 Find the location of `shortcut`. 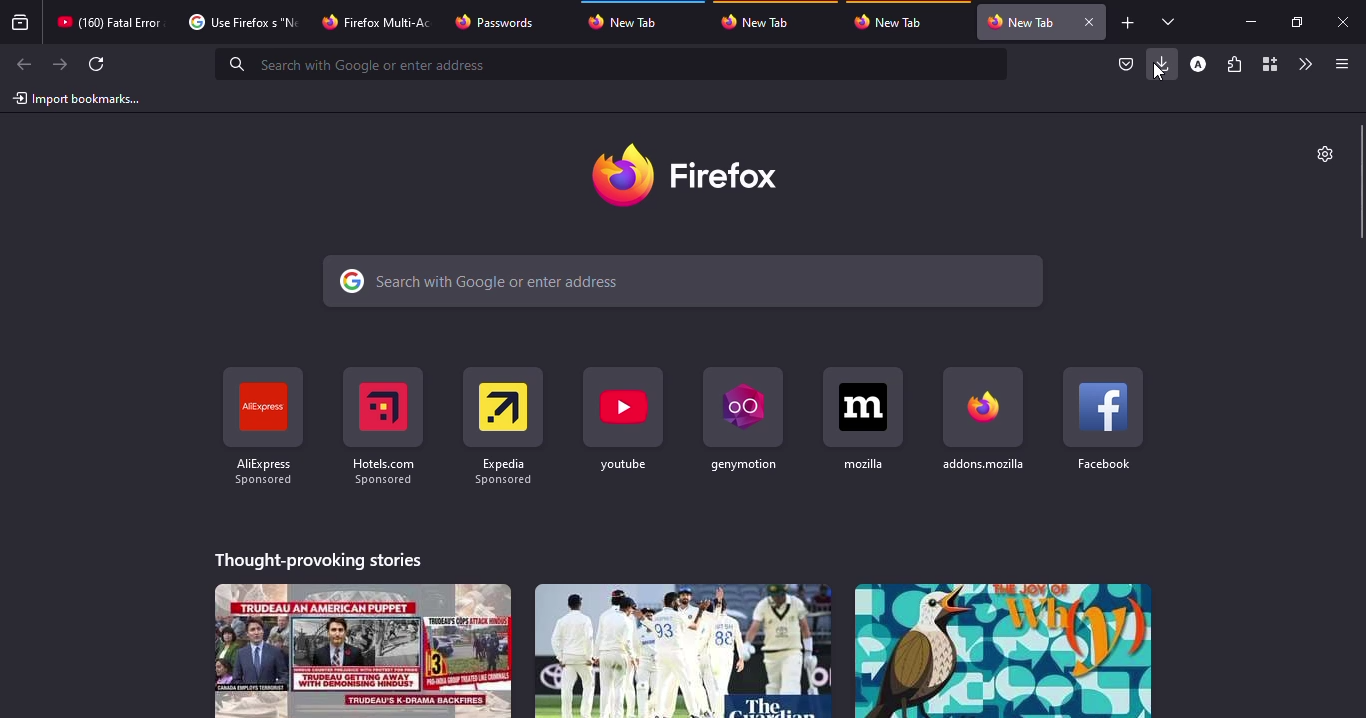

shortcut is located at coordinates (502, 419).